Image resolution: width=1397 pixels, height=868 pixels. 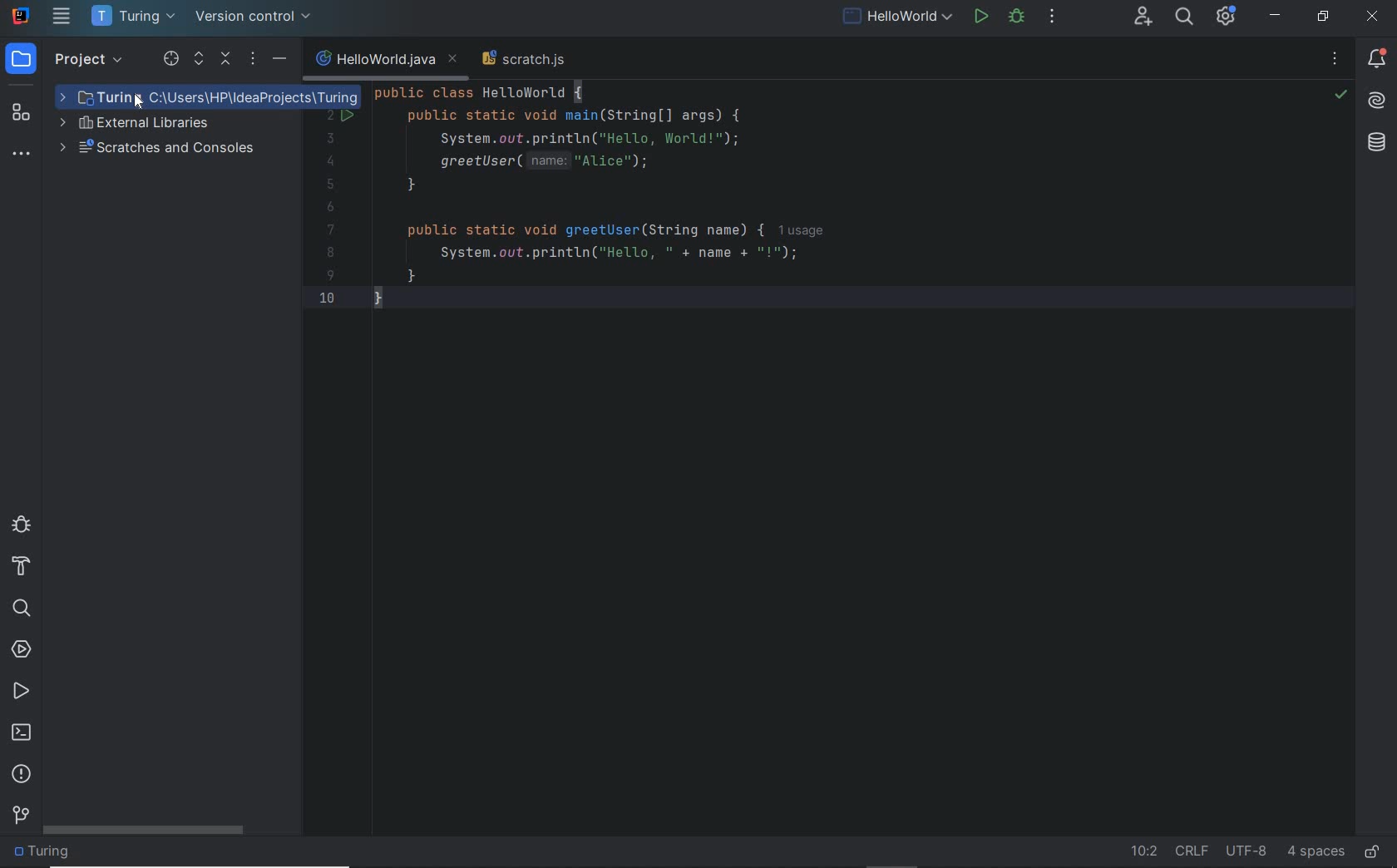 What do you see at coordinates (1194, 851) in the screenshot?
I see `line separator` at bounding box center [1194, 851].